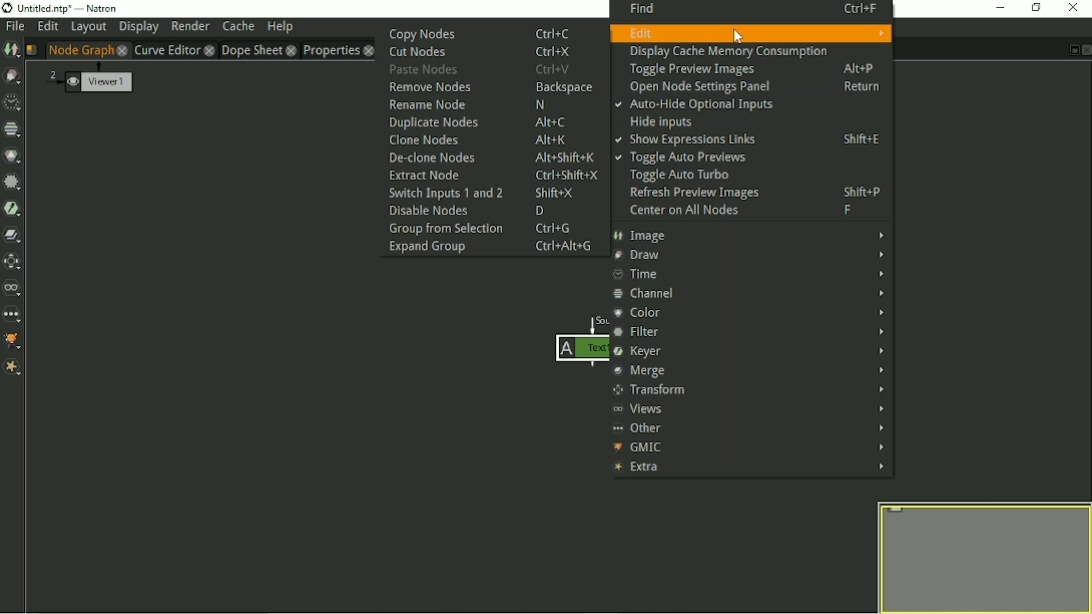  What do you see at coordinates (1072, 50) in the screenshot?
I see `Float pane` at bounding box center [1072, 50].